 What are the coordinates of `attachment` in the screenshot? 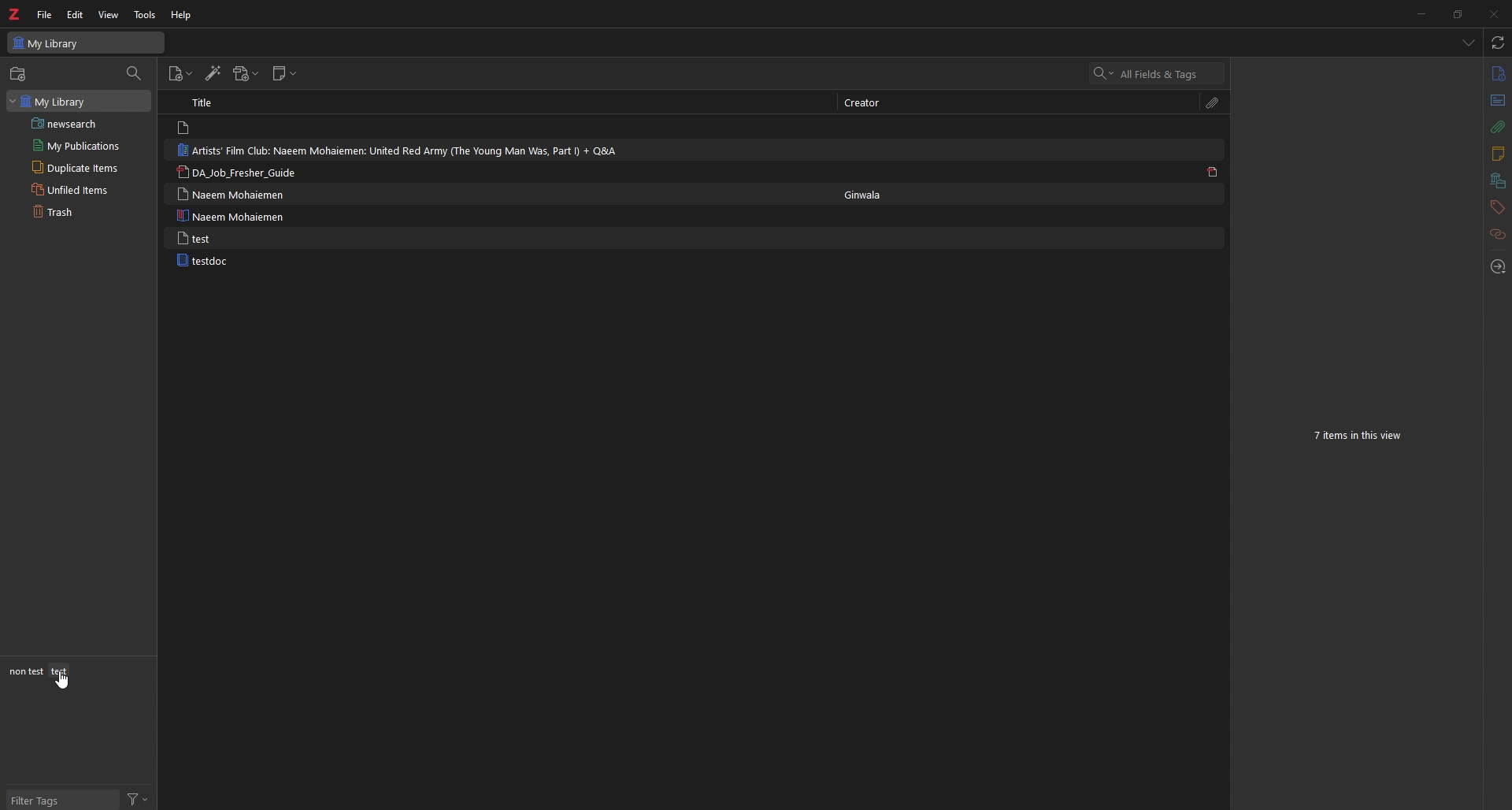 It's located at (1212, 102).